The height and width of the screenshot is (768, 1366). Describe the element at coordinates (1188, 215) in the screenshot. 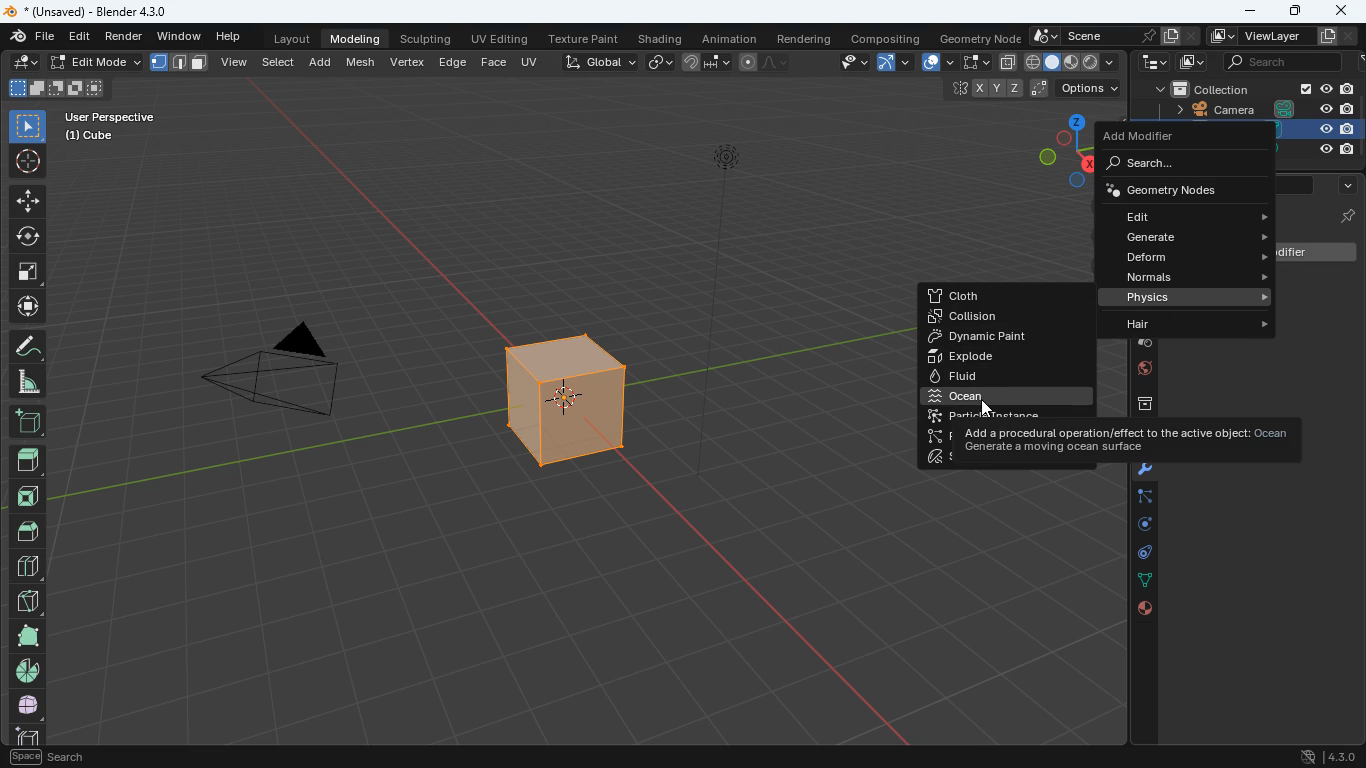

I see `edit` at that location.